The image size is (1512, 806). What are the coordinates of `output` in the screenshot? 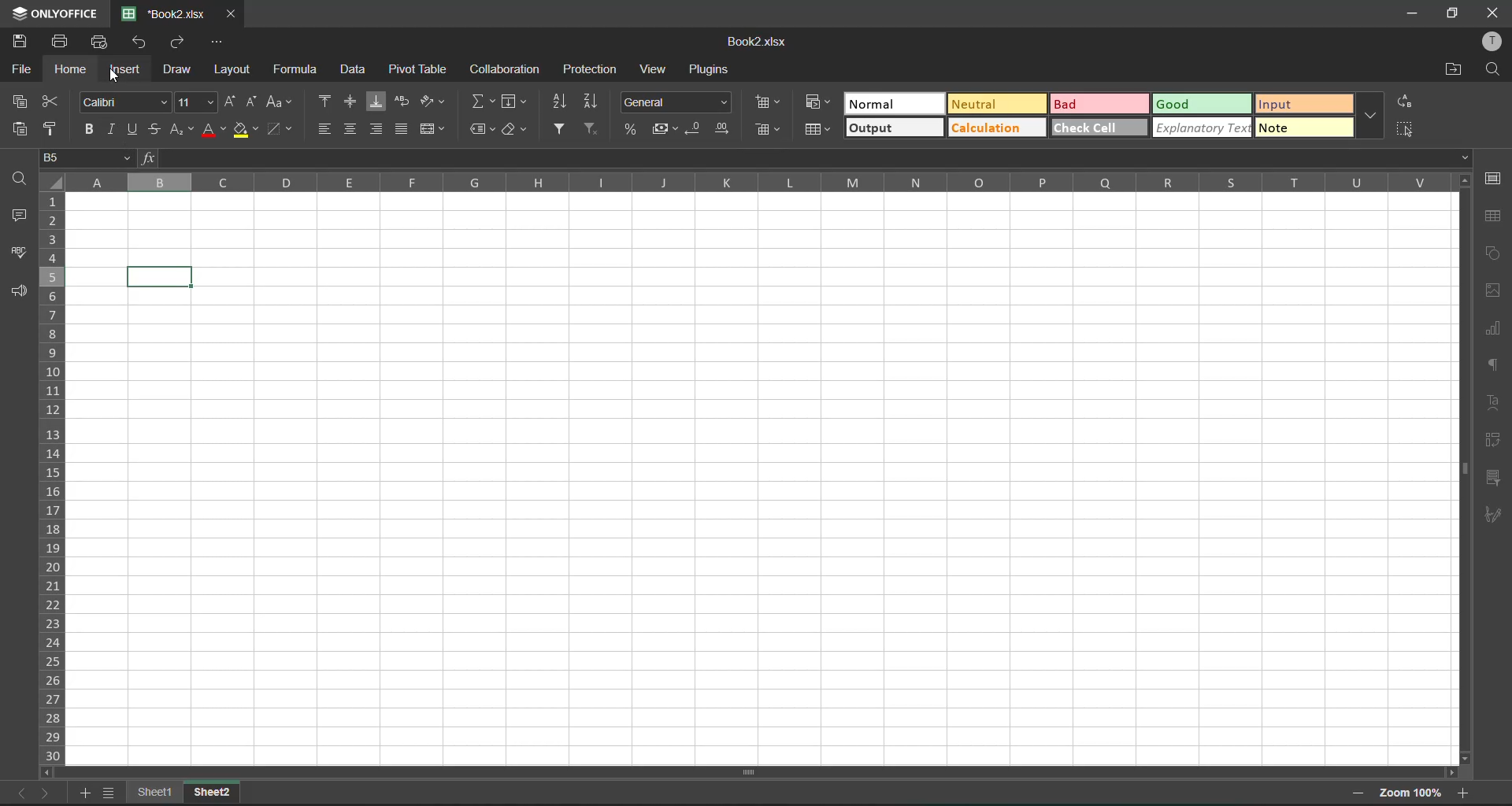 It's located at (894, 129).